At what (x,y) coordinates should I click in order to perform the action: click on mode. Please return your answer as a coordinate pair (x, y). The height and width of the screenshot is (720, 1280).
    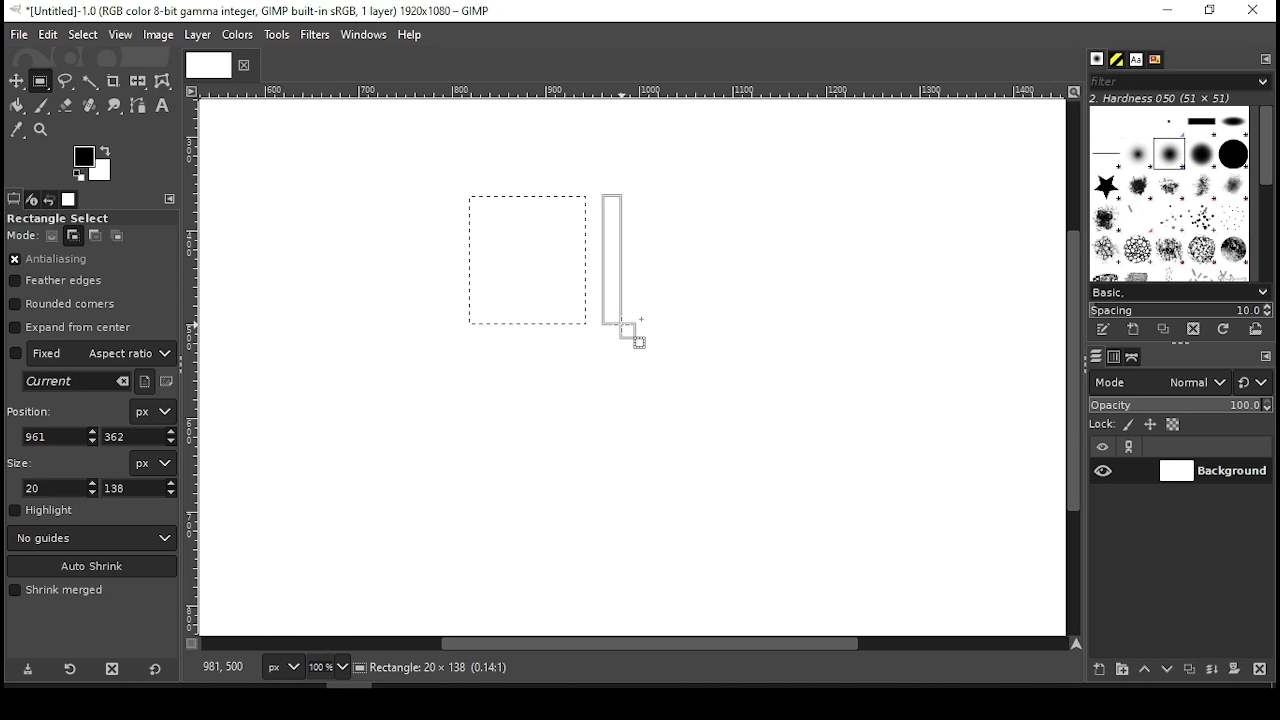
    Looking at the image, I should click on (1159, 384).